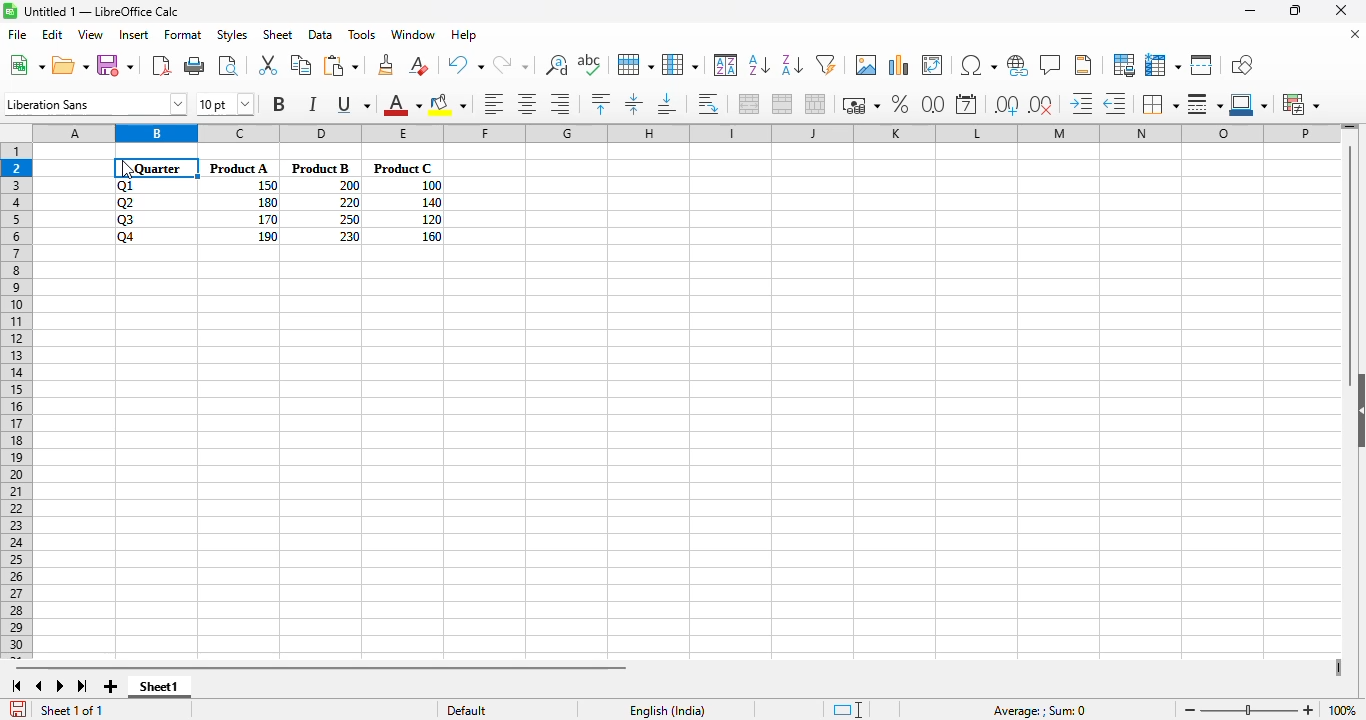 The height and width of the screenshot is (720, 1366). What do you see at coordinates (26, 64) in the screenshot?
I see `new` at bounding box center [26, 64].